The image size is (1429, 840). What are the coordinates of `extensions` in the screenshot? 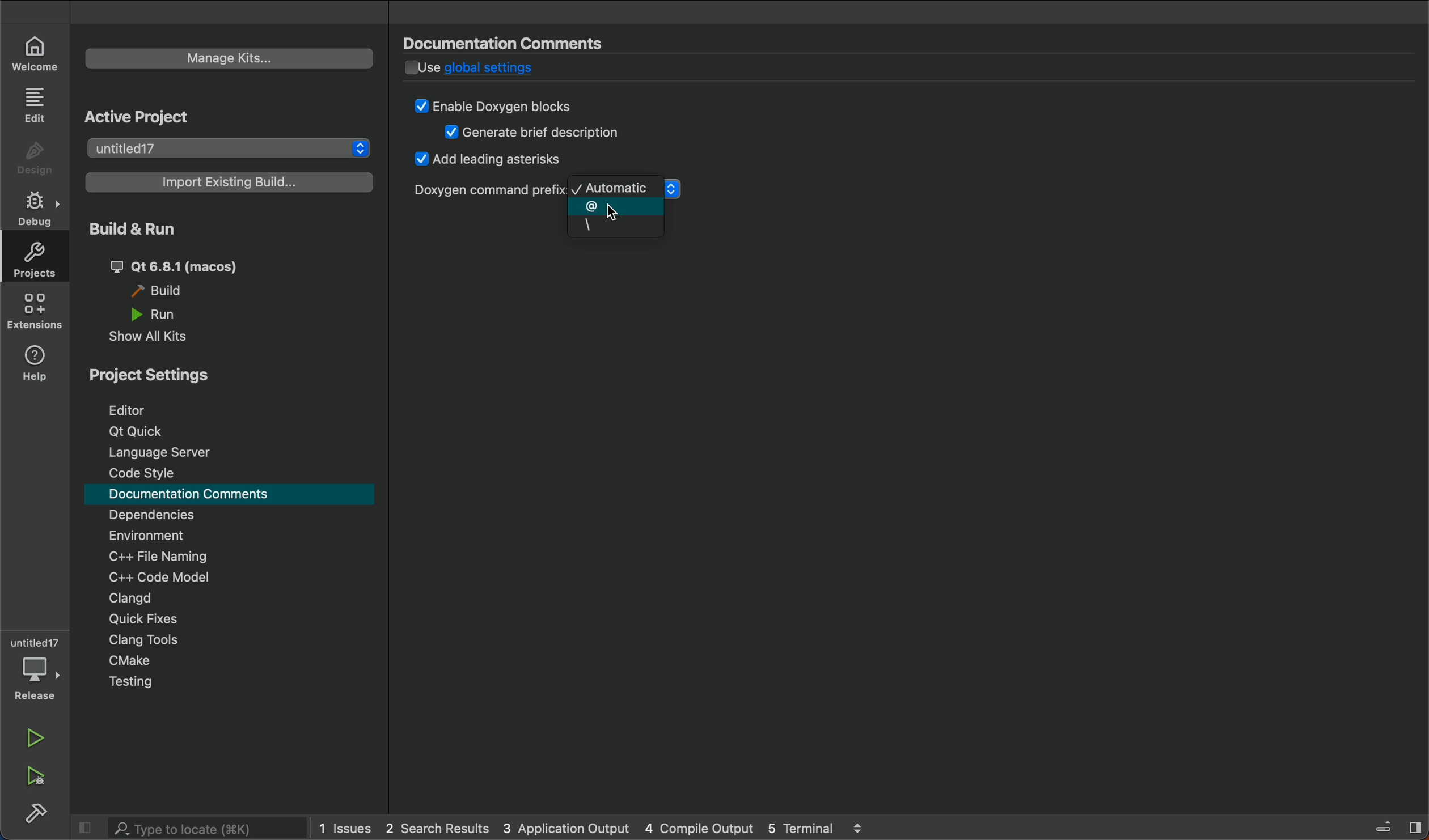 It's located at (37, 313).